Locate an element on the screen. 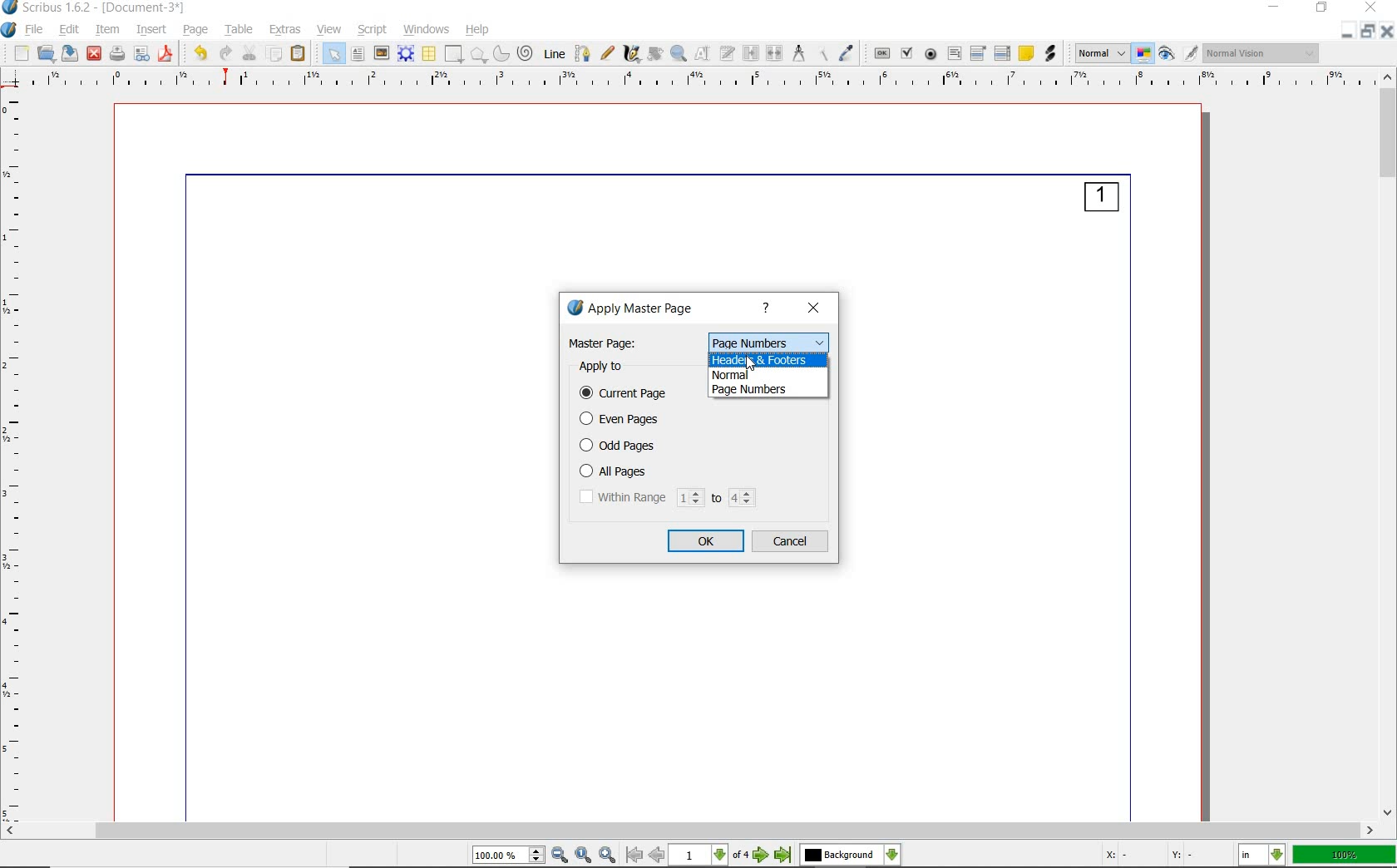 The width and height of the screenshot is (1397, 868). image frame is located at coordinates (381, 55).